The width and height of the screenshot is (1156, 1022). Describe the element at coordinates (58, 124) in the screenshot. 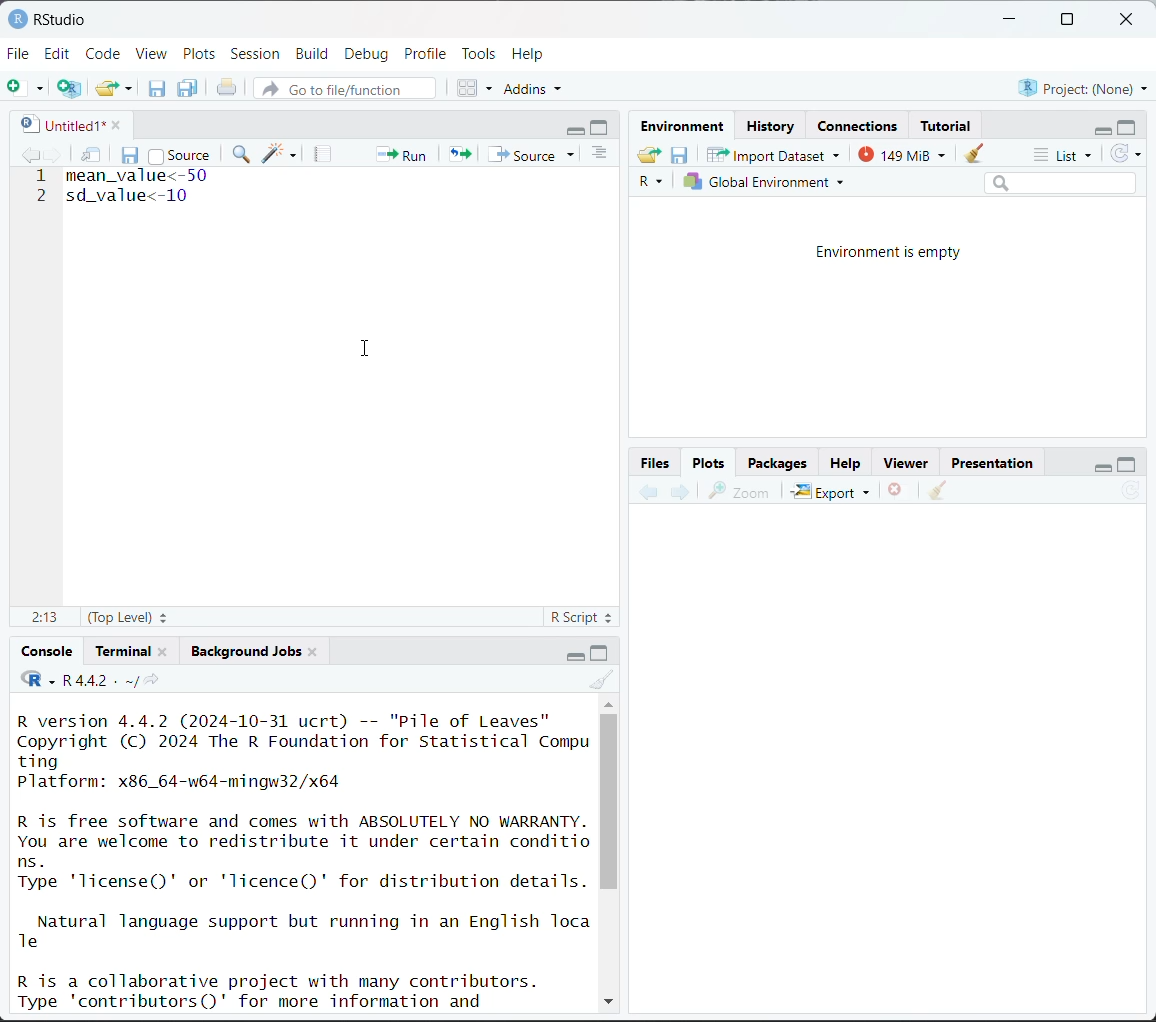

I see `untitled1` at that location.